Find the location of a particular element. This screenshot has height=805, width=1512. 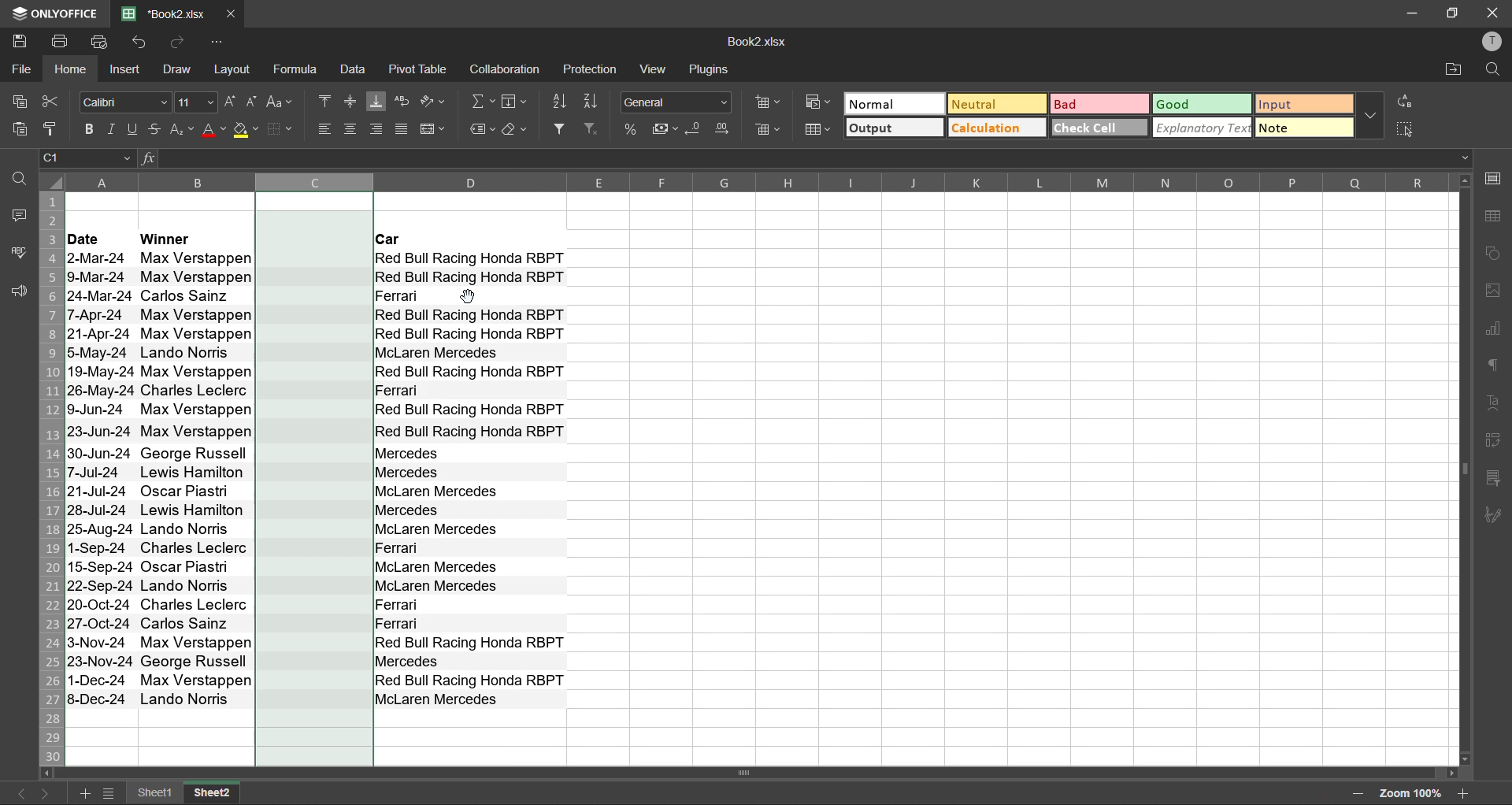

replace is located at coordinates (1406, 104).